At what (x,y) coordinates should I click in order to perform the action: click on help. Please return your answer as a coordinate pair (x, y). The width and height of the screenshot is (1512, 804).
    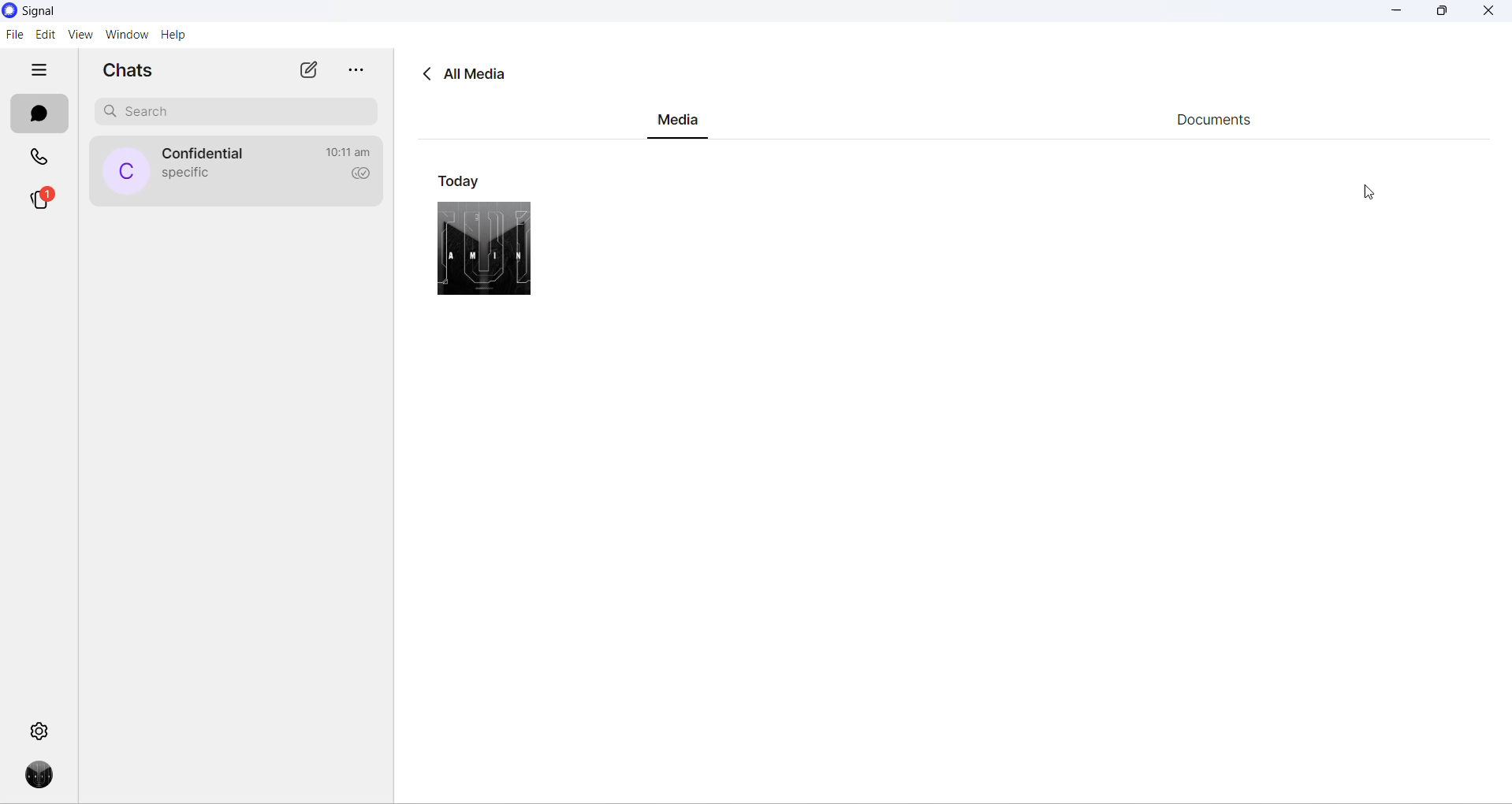
    Looking at the image, I should click on (173, 35).